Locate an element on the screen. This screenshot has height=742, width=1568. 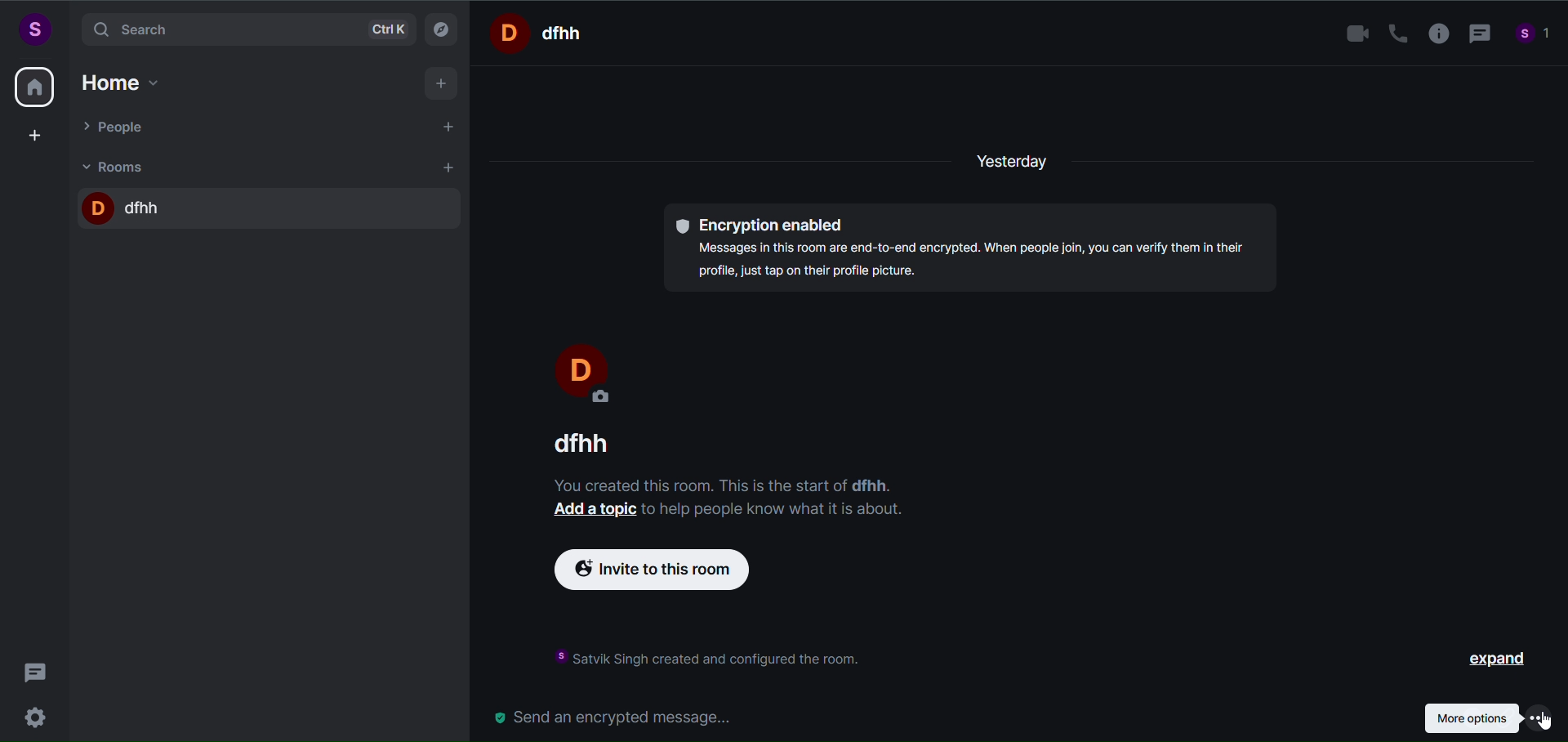
more options is located at coordinates (1487, 717).